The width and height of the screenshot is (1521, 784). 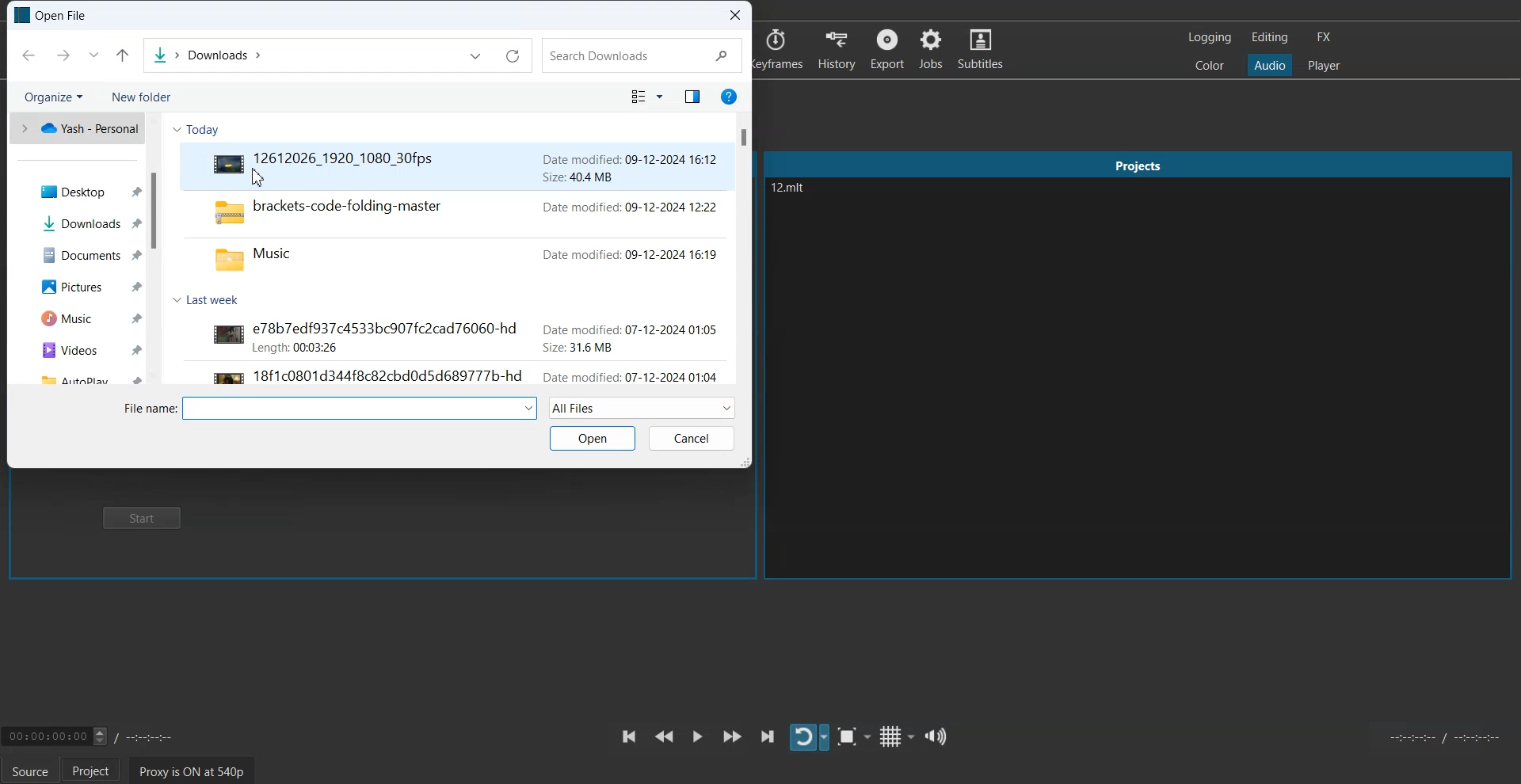 I want to click on File Path address, so click(x=207, y=56).